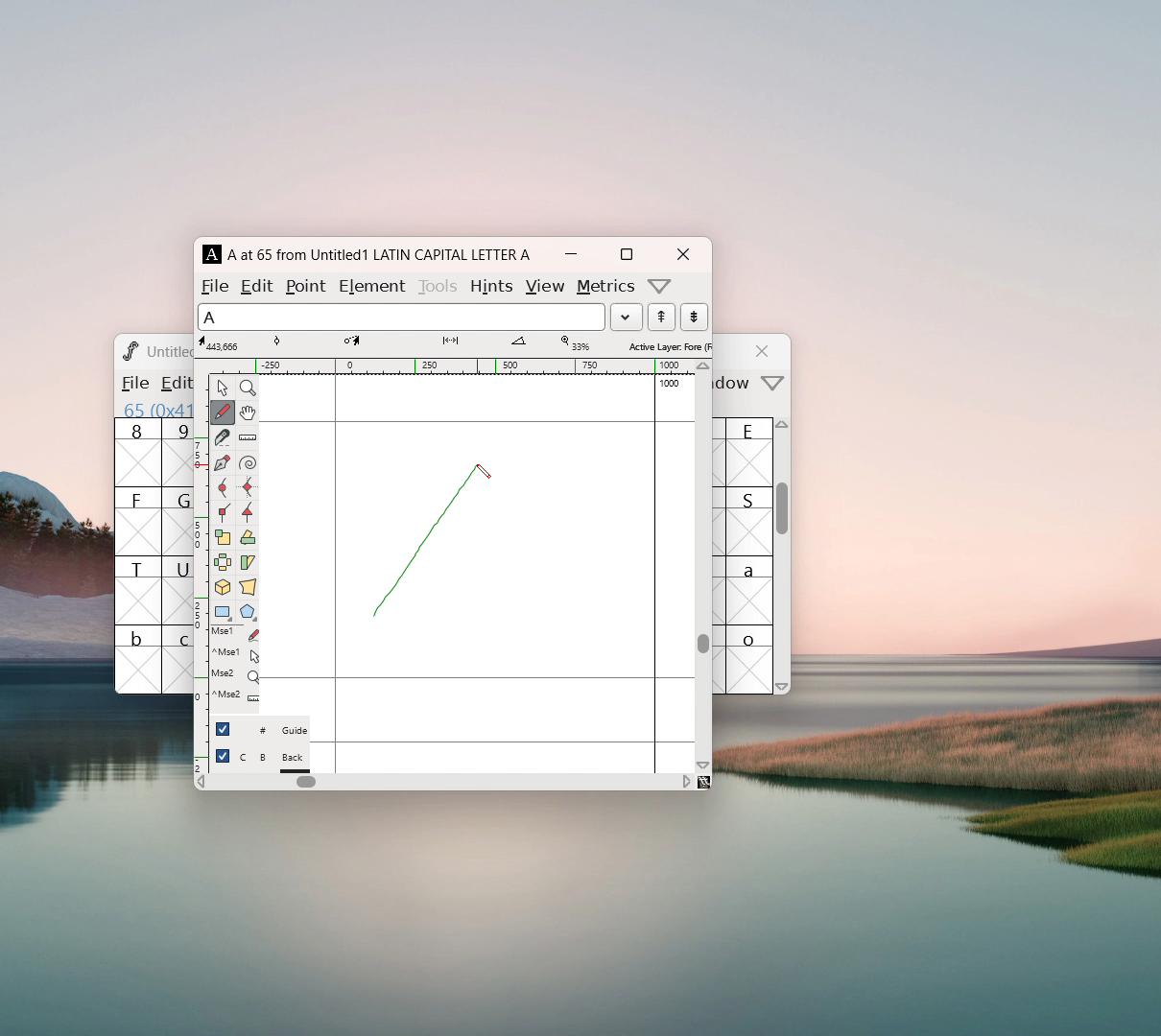  Describe the element at coordinates (222, 511) in the screenshot. I see `add a corner point` at that location.